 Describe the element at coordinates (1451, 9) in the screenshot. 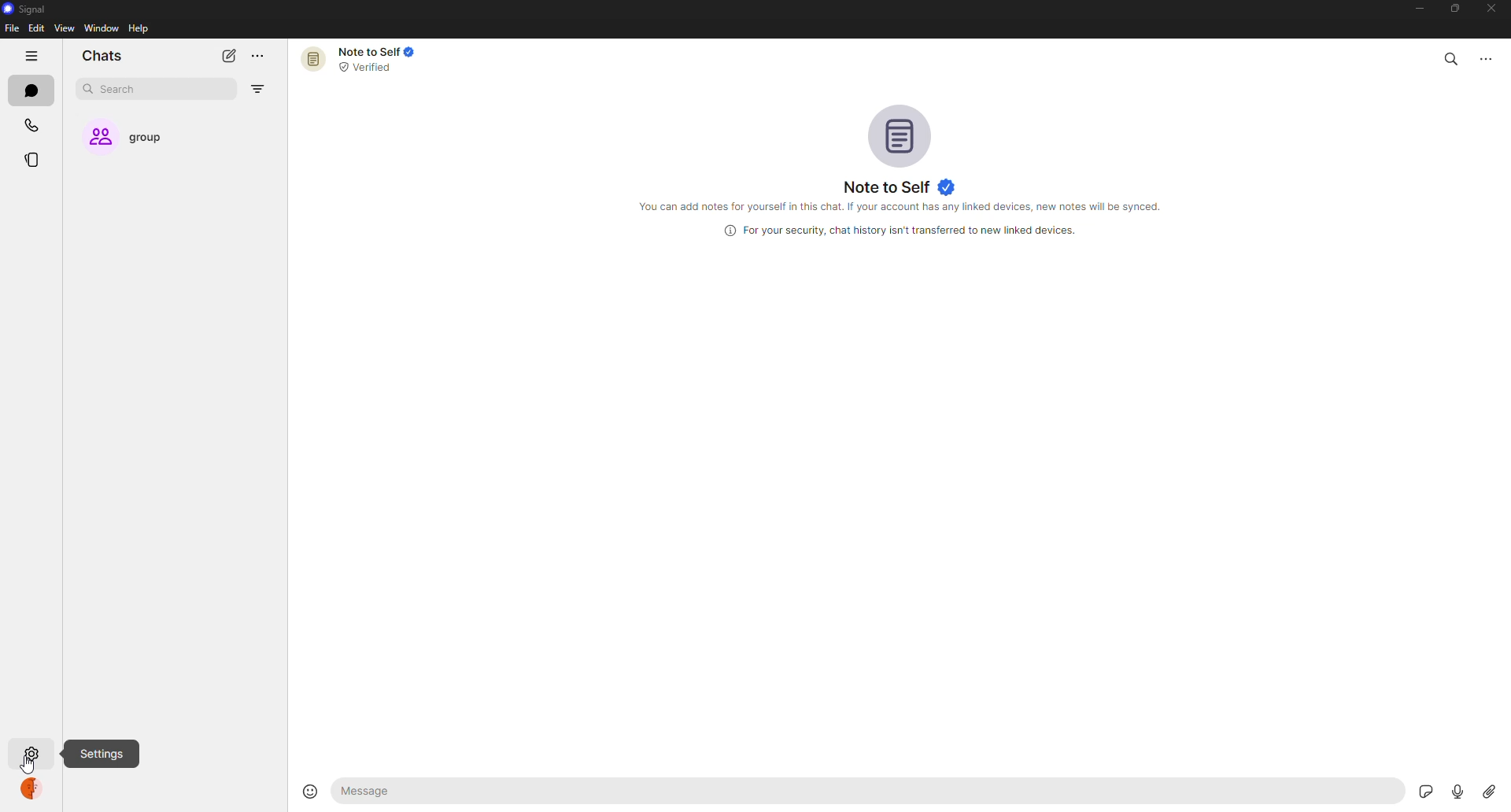

I see `maximize` at that location.